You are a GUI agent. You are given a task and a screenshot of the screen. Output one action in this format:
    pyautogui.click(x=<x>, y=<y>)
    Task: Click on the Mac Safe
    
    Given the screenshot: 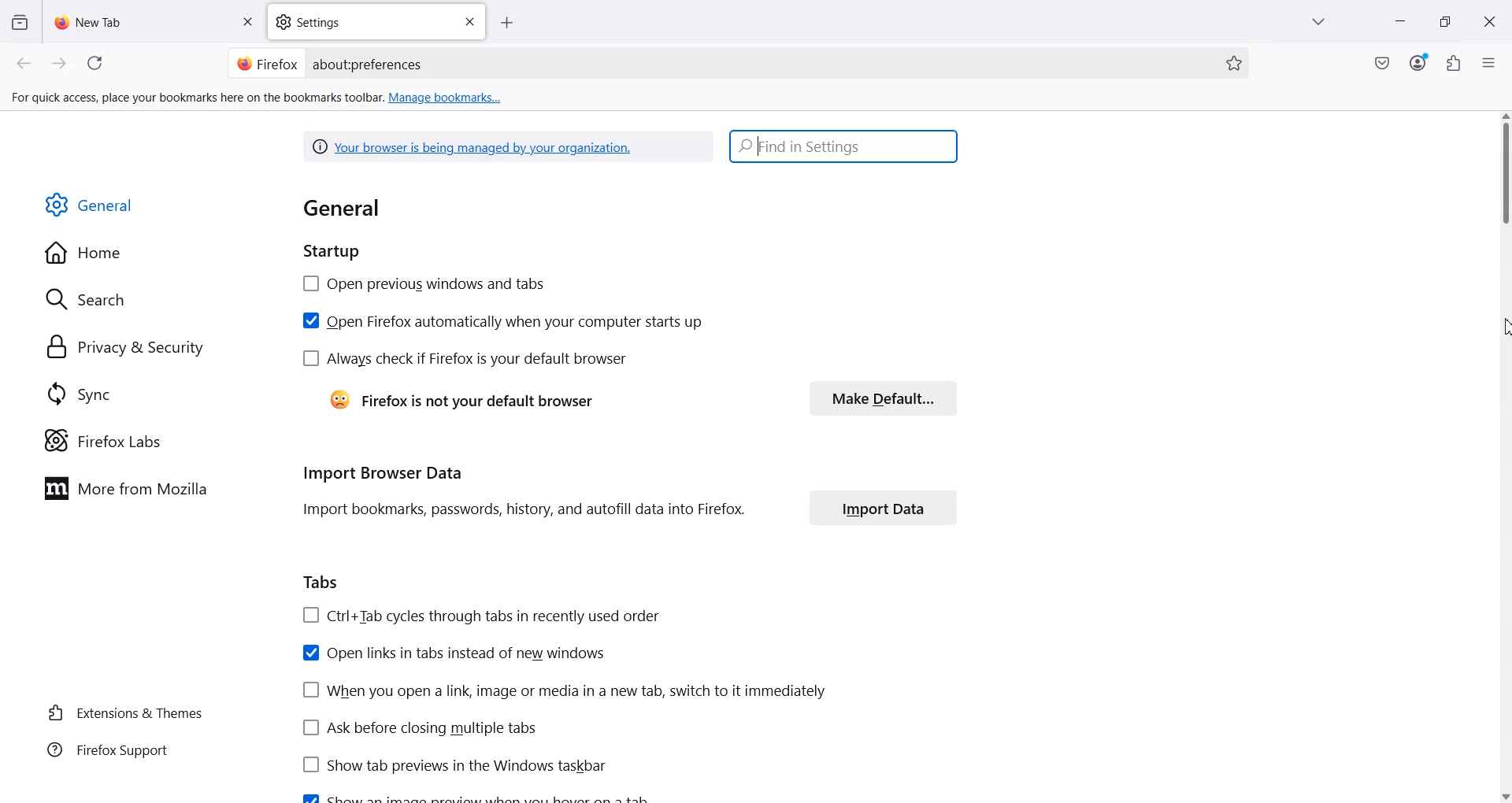 What is the action you would take?
    pyautogui.click(x=1382, y=63)
    